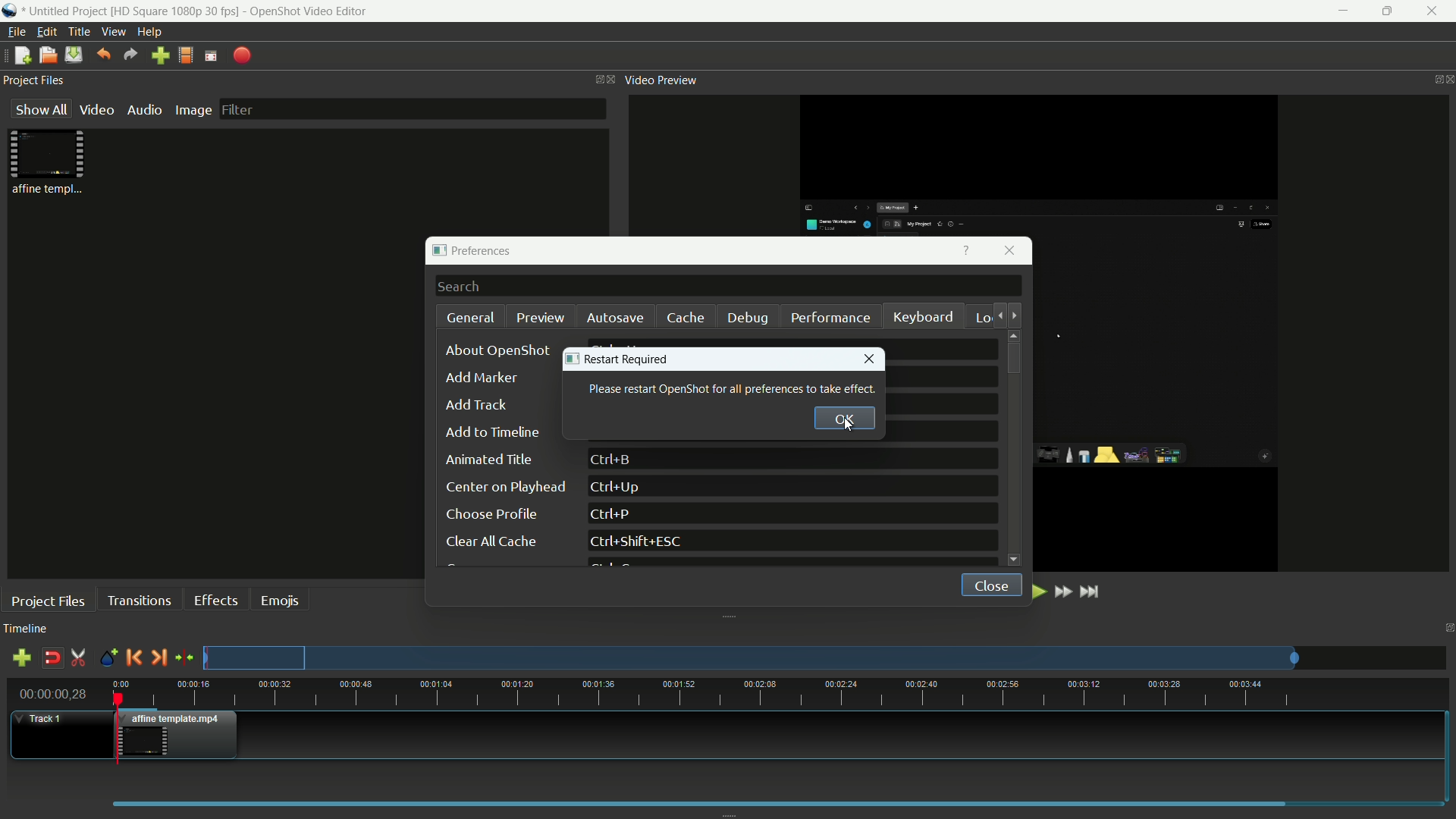 The width and height of the screenshot is (1456, 819). I want to click on undo, so click(103, 54).